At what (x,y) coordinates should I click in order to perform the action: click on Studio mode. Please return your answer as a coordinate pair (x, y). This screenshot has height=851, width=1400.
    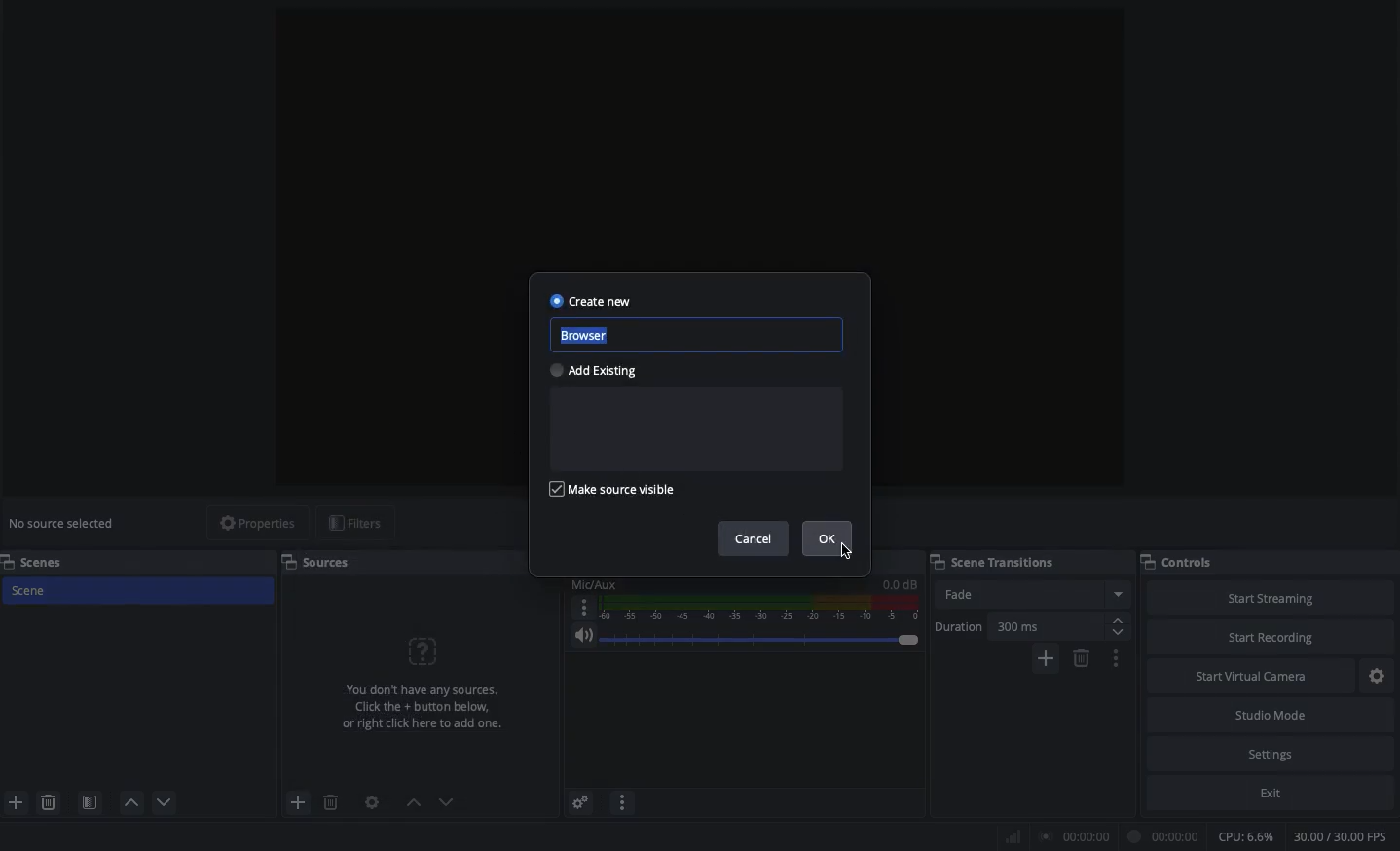
    Looking at the image, I should click on (1269, 713).